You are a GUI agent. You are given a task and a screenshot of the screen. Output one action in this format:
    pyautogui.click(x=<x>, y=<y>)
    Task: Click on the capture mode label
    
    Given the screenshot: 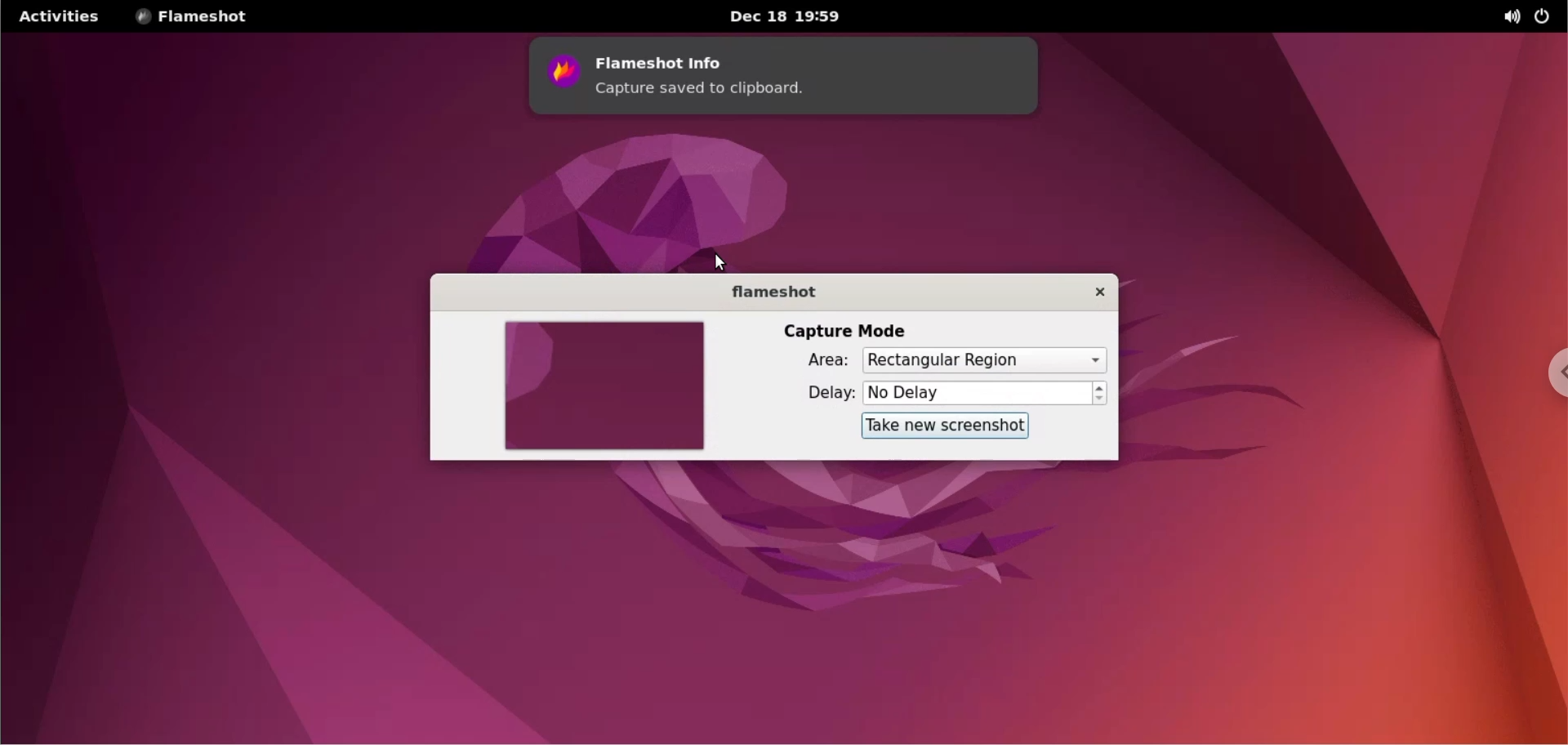 What is the action you would take?
    pyautogui.click(x=844, y=330)
    